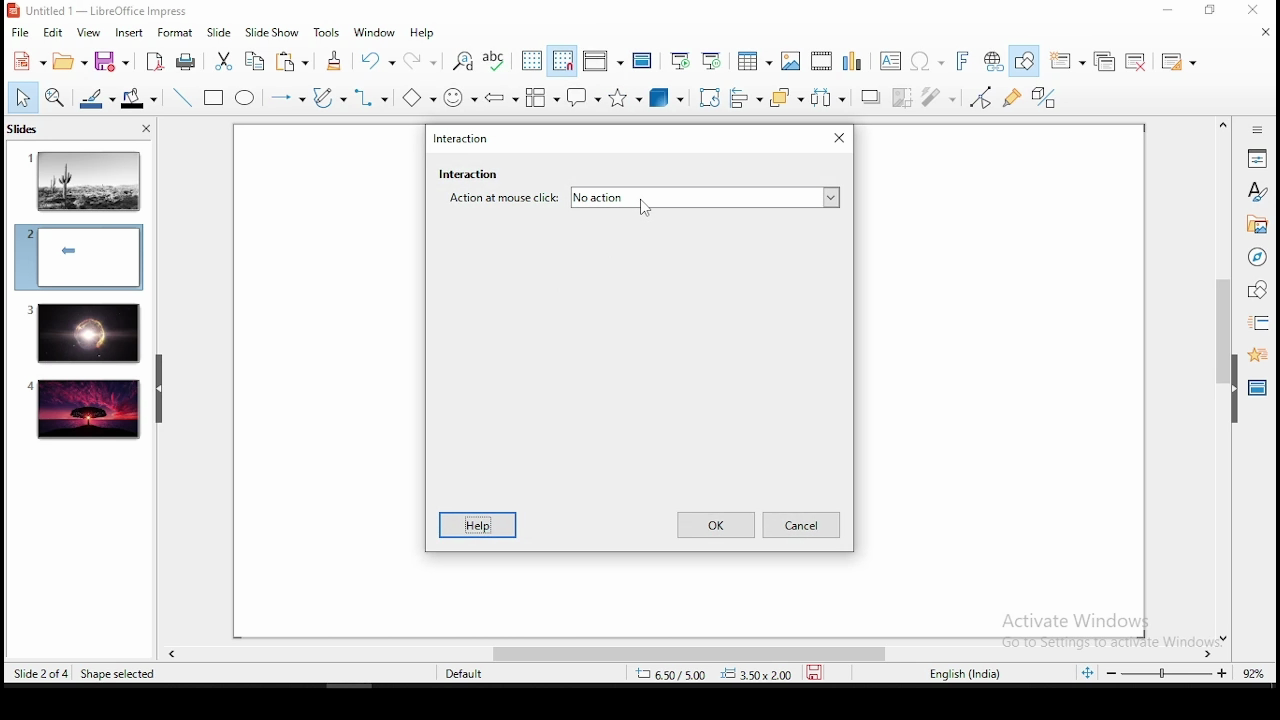  Describe the element at coordinates (95, 99) in the screenshot. I see `line fill` at that location.